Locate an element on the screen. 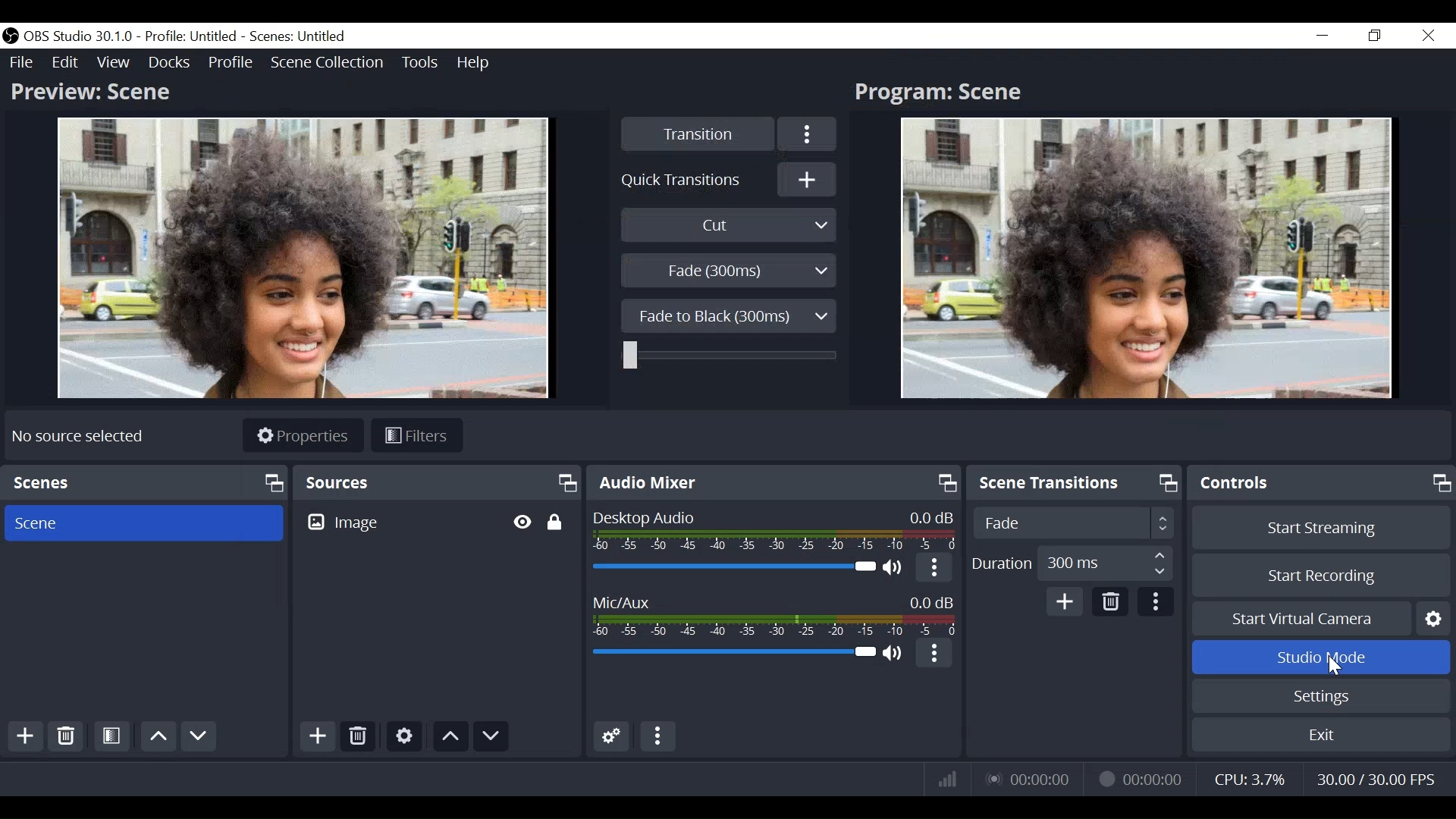 This screenshot has height=819, width=1456. Bitrate is located at coordinates (952, 780).